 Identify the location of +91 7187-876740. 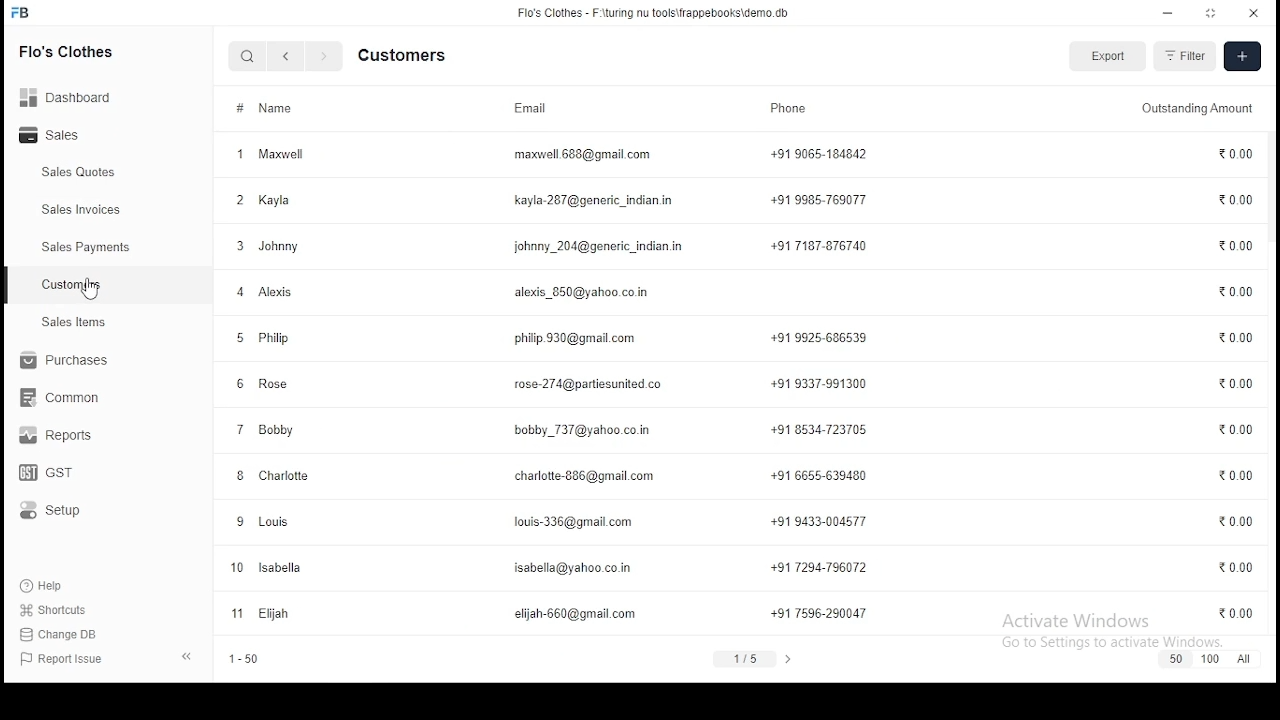
(816, 245).